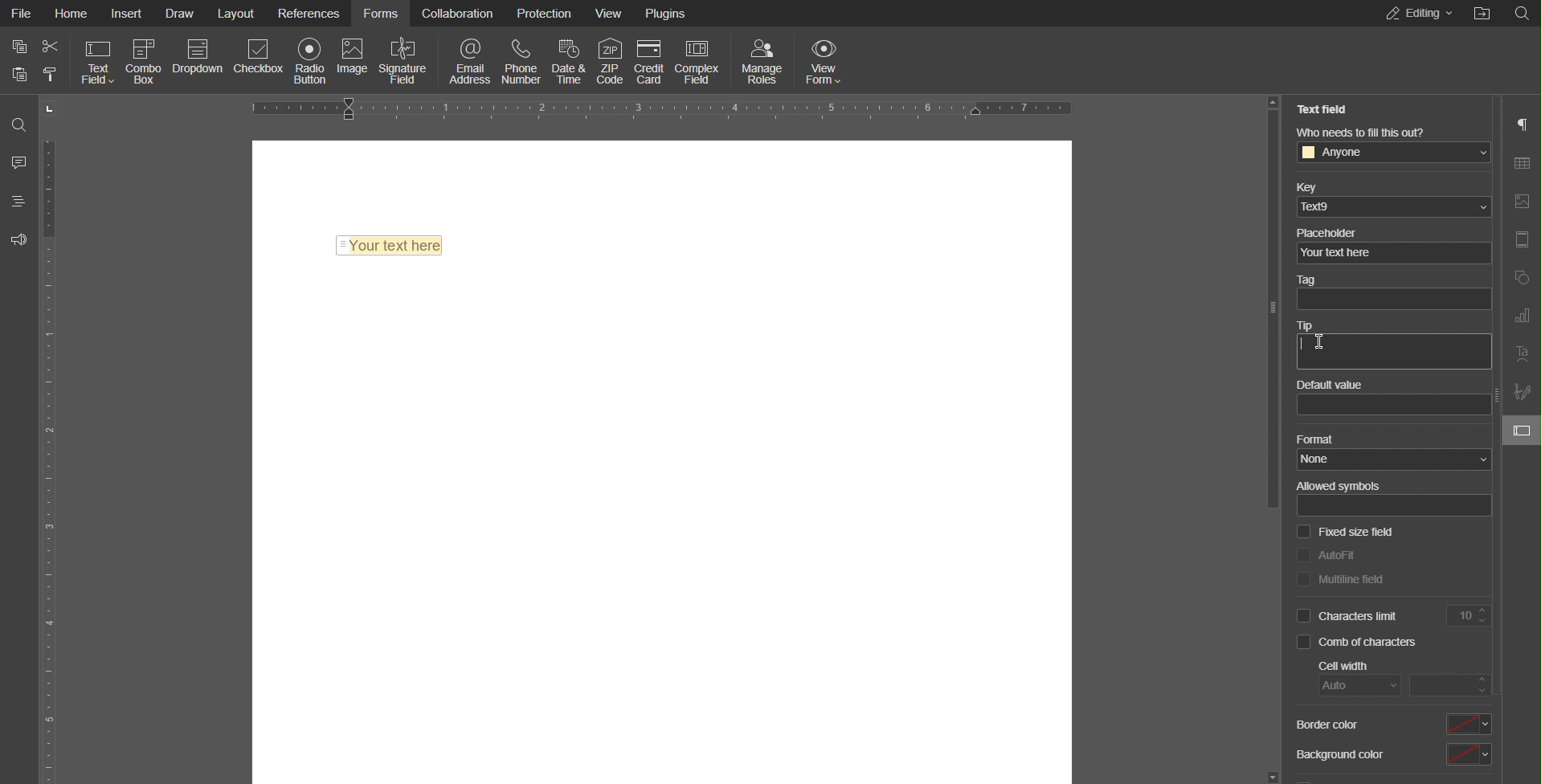 The height and width of the screenshot is (784, 1541). I want to click on Image Settings, so click(1519, 200).